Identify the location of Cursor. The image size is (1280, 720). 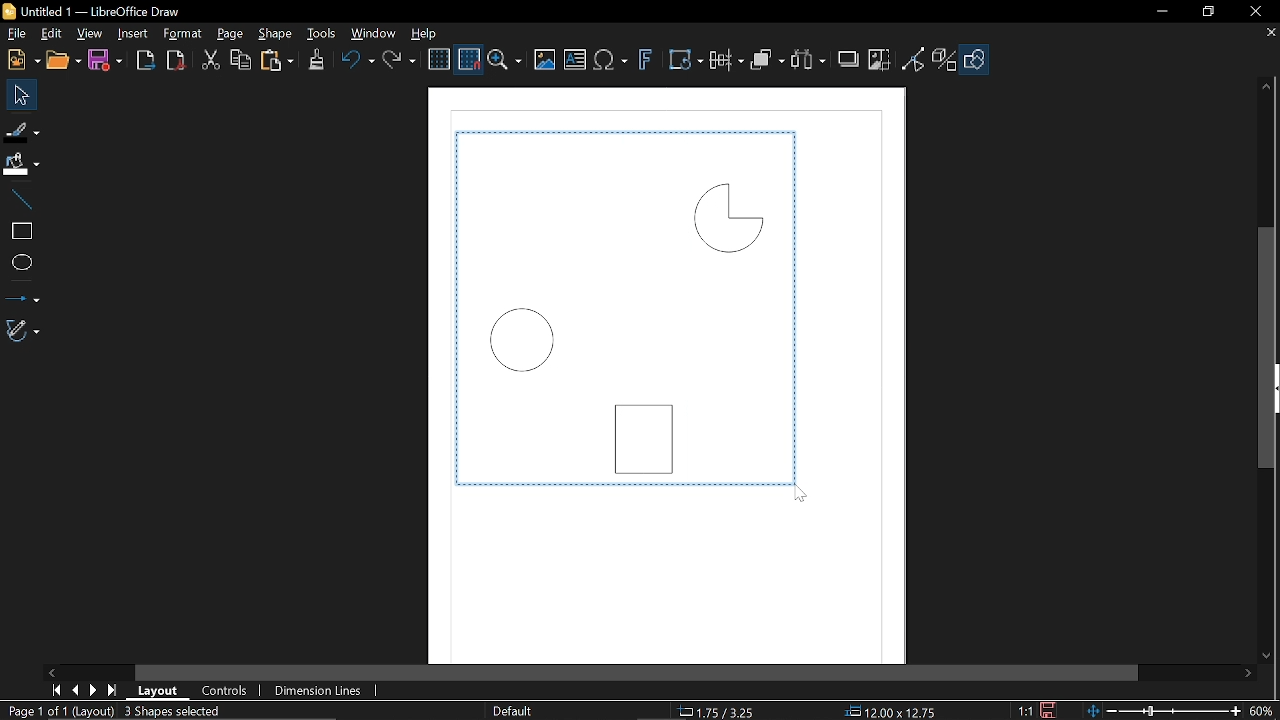
(804, 494).